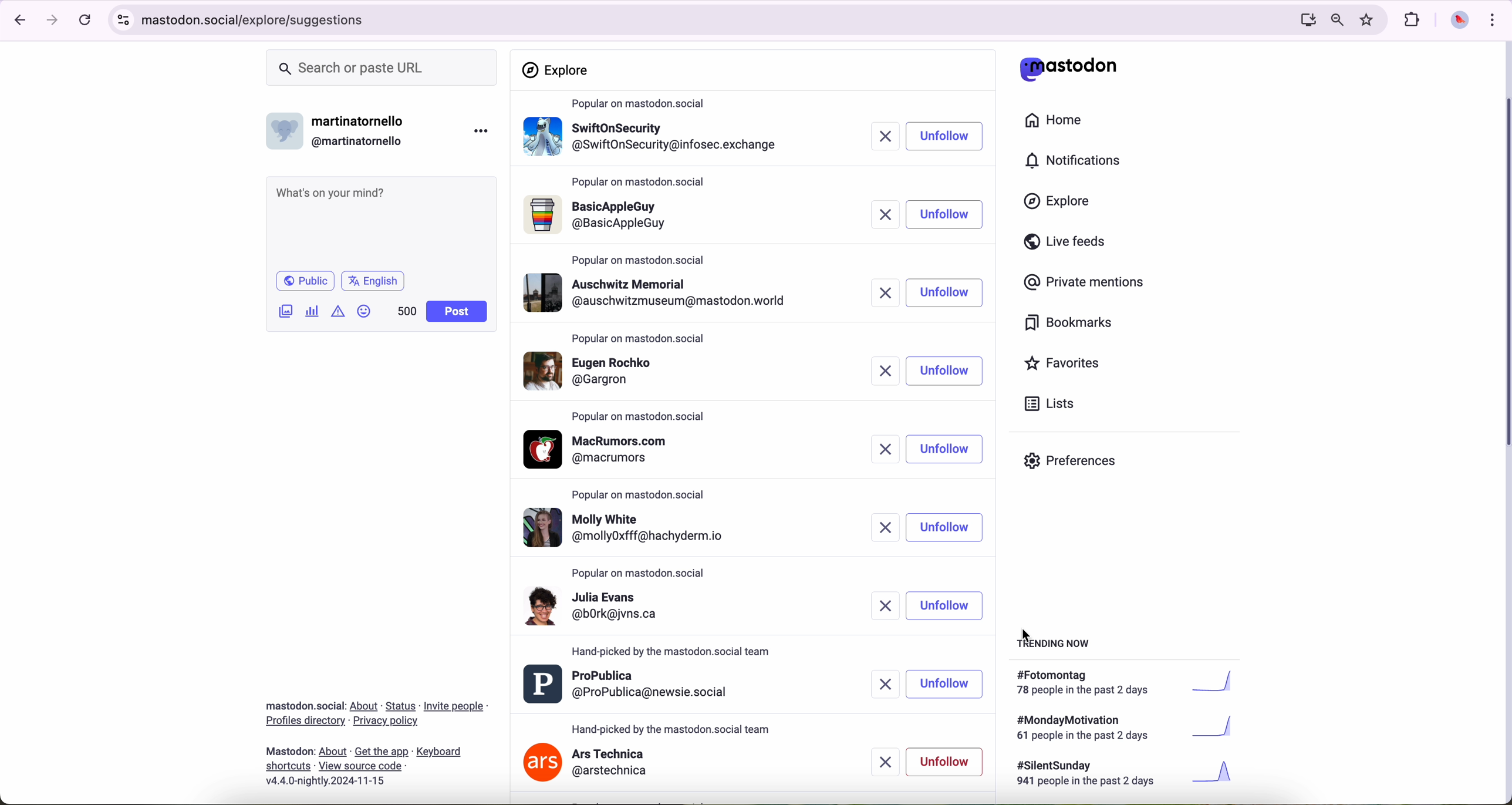 The image size is (1512, 805). What do you see at coordinates (644, 574) in the screenshot?
I see `popular on mastodon.social` at bounding box center [644, 574].